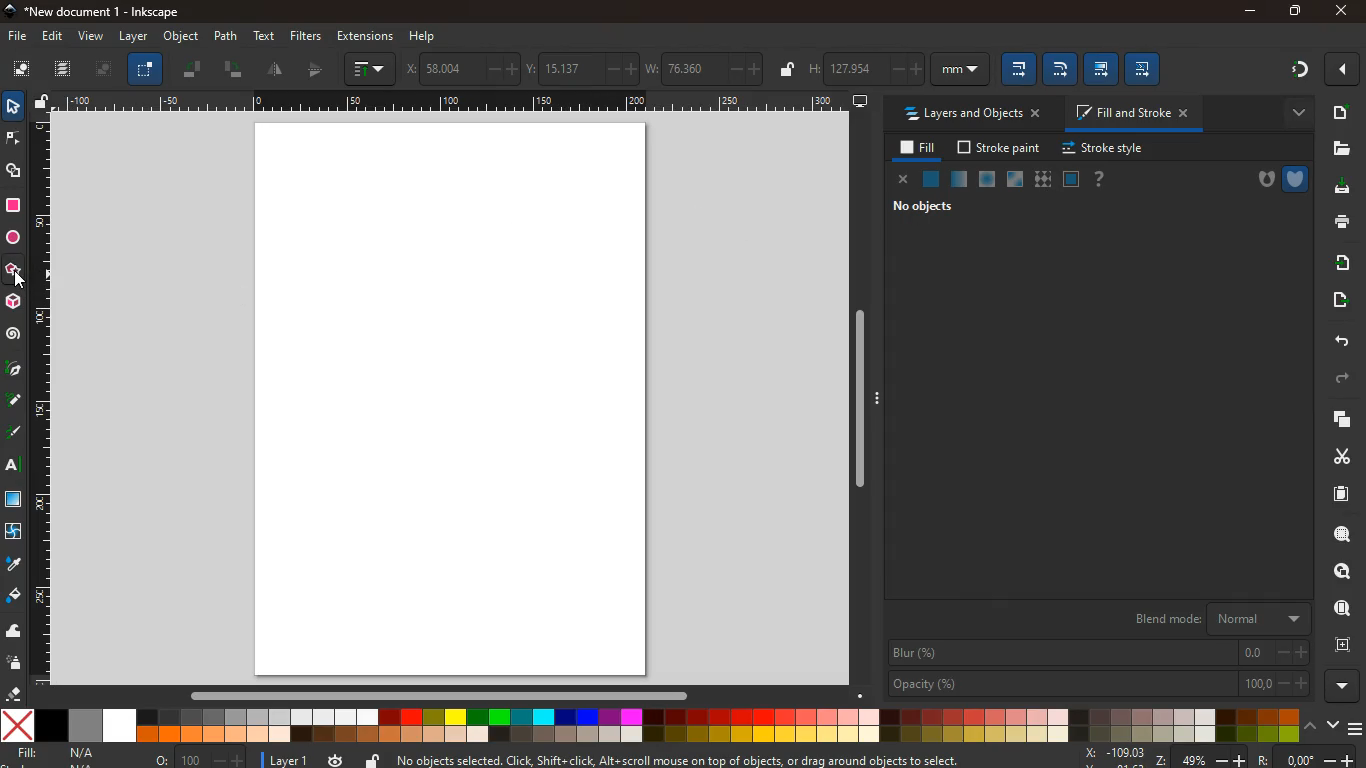 This screenshot has height=768, width=1366. I want to click on No objects selected. Click Shift+click, Alt+scroll mouse on top of objects or drag around objects to select., so click(681, 756).